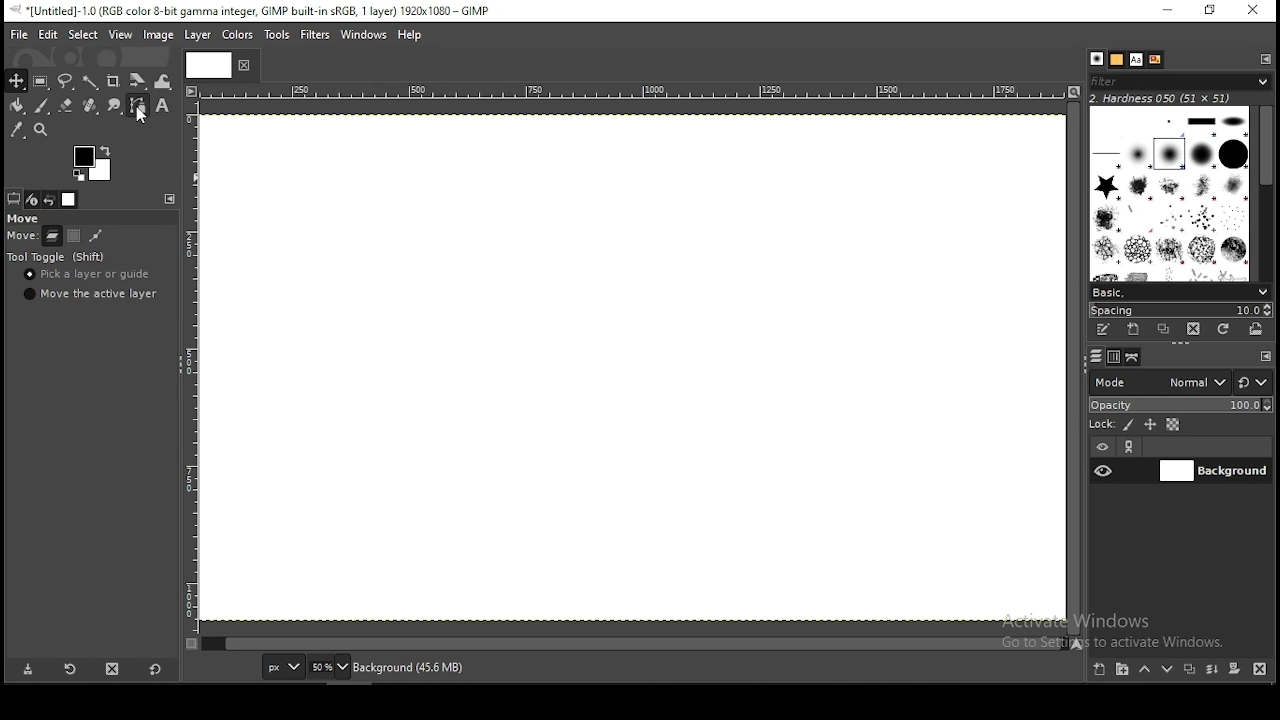  Describe the element at coordinates (244, 68) in the screenshot. I see `close` at that location.